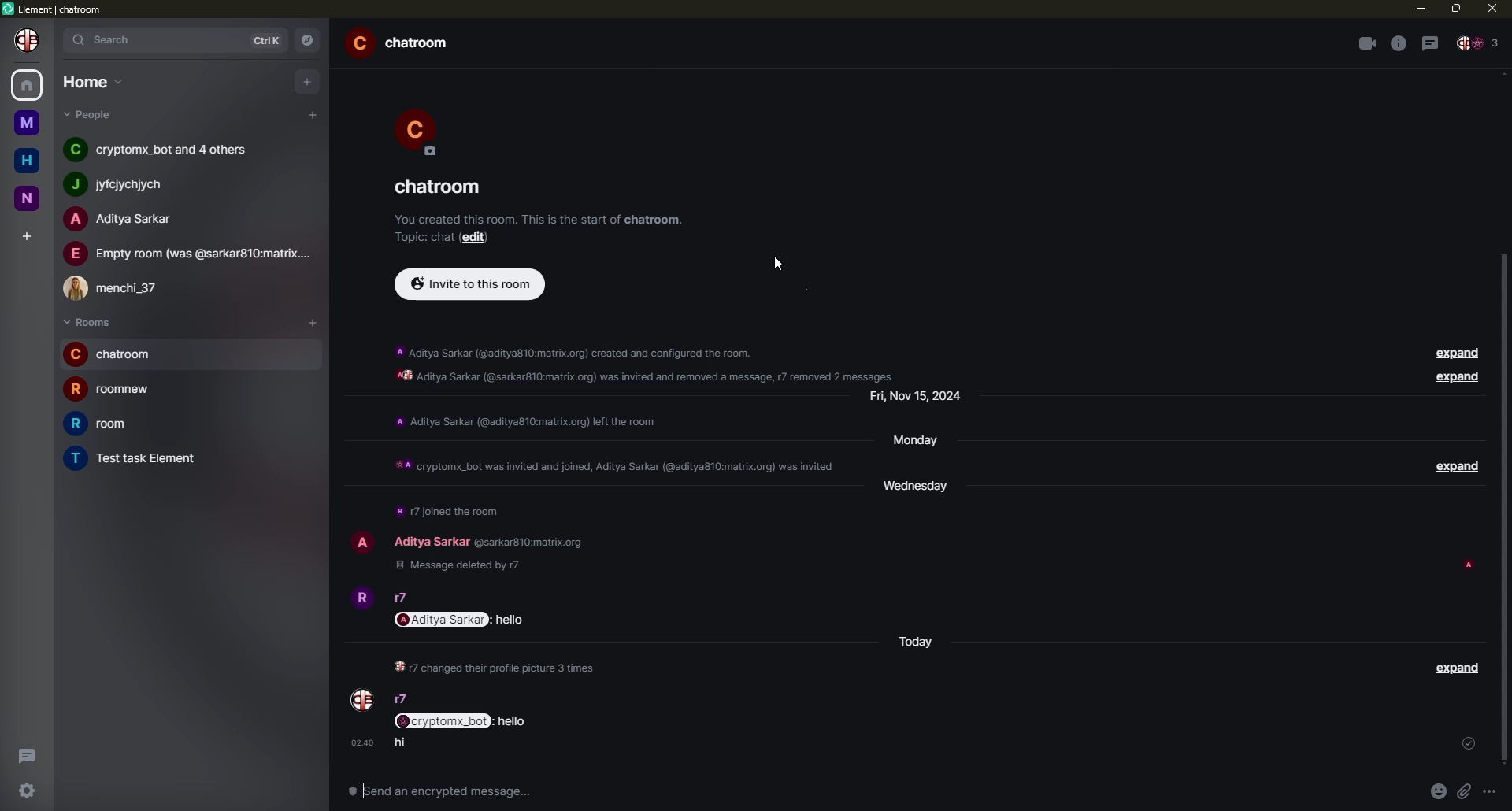 Image resolution: width=1512 pixels, height=811 pixels. Describe the element at coordinates (463, 619) in the screenshot. I see `mentioned` at that location.